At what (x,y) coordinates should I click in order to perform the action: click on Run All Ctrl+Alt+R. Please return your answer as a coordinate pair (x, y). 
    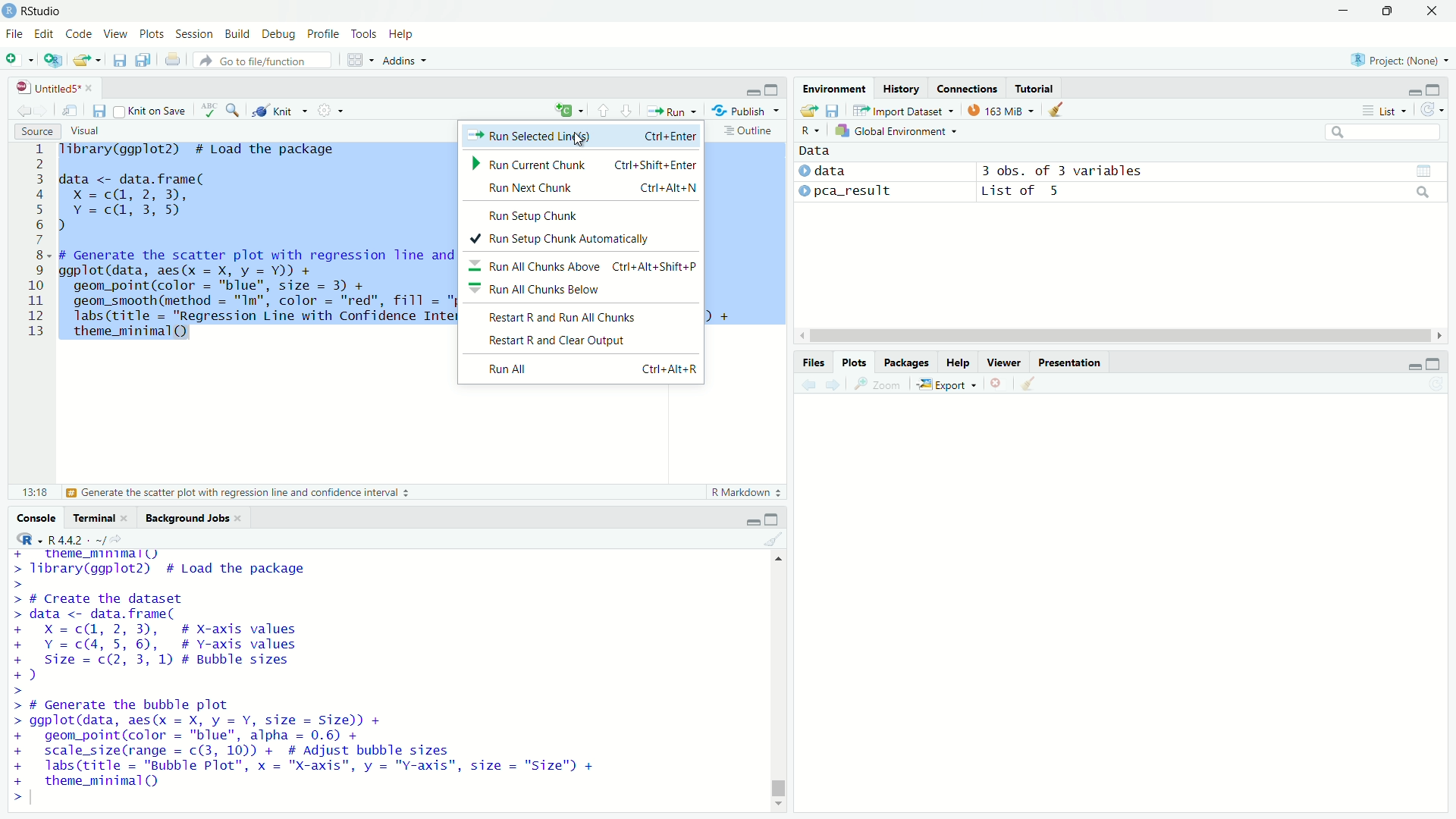
    Looking at the image, I should click on (582, 369).